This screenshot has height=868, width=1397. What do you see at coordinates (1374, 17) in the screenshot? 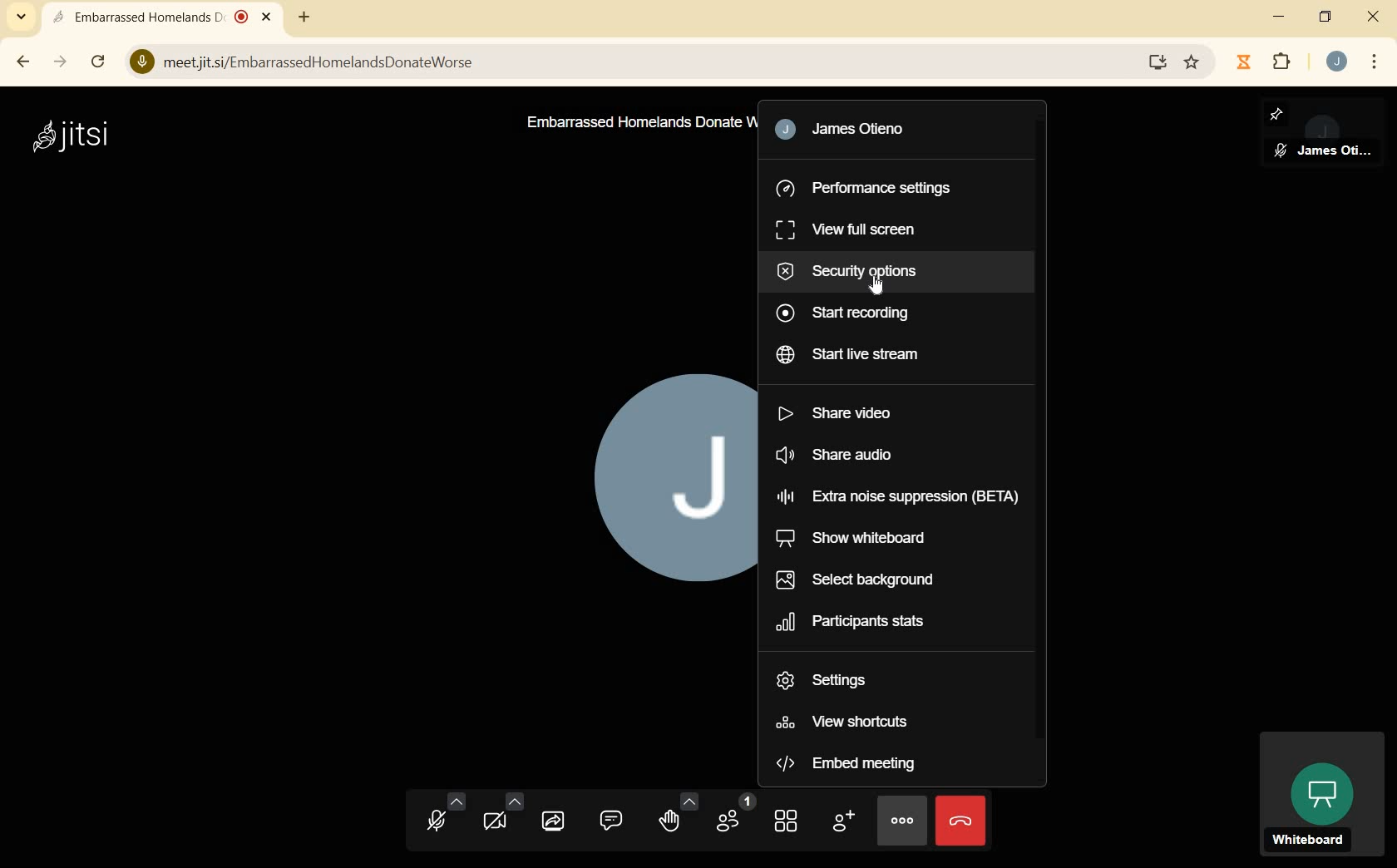
I see `close` at bounding box center [1374, 17].